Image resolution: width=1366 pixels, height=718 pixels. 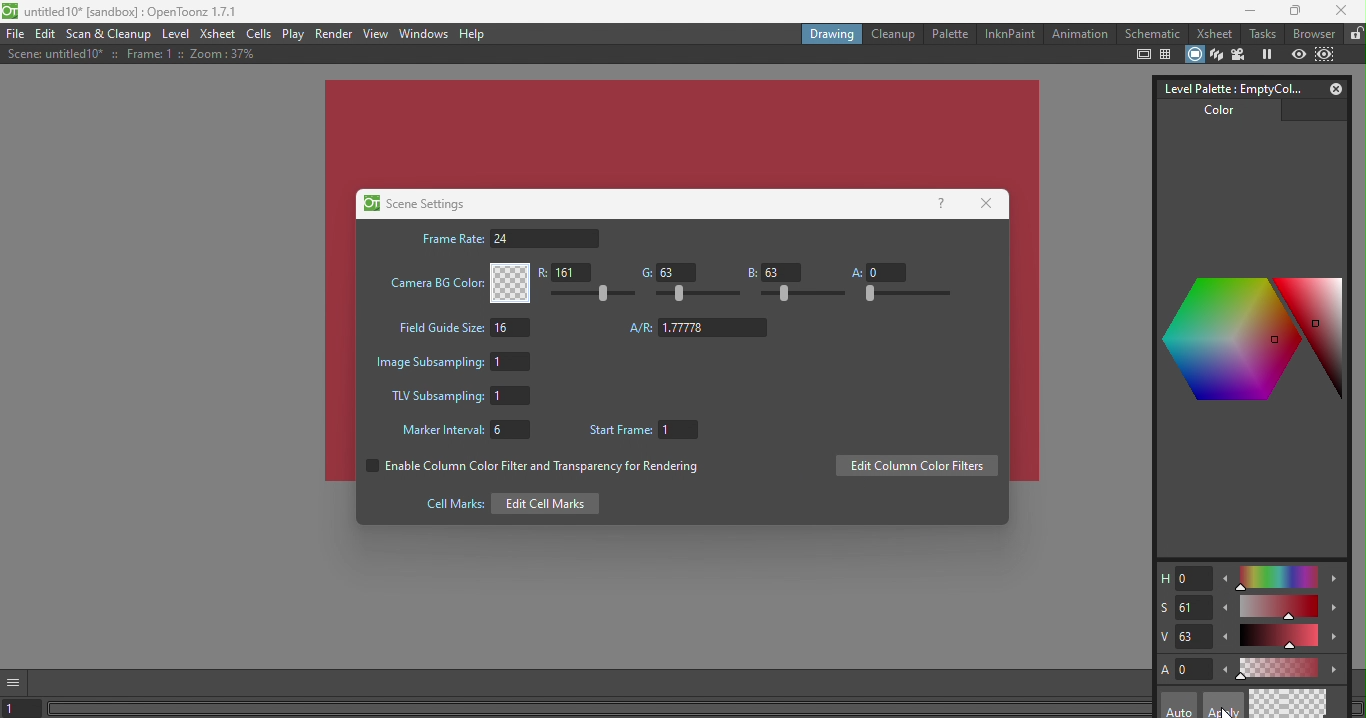 What do you see at coordinates (460, 397) in the screenshot?
I see `TLV Subsampling` at bounding box center [460, 397].